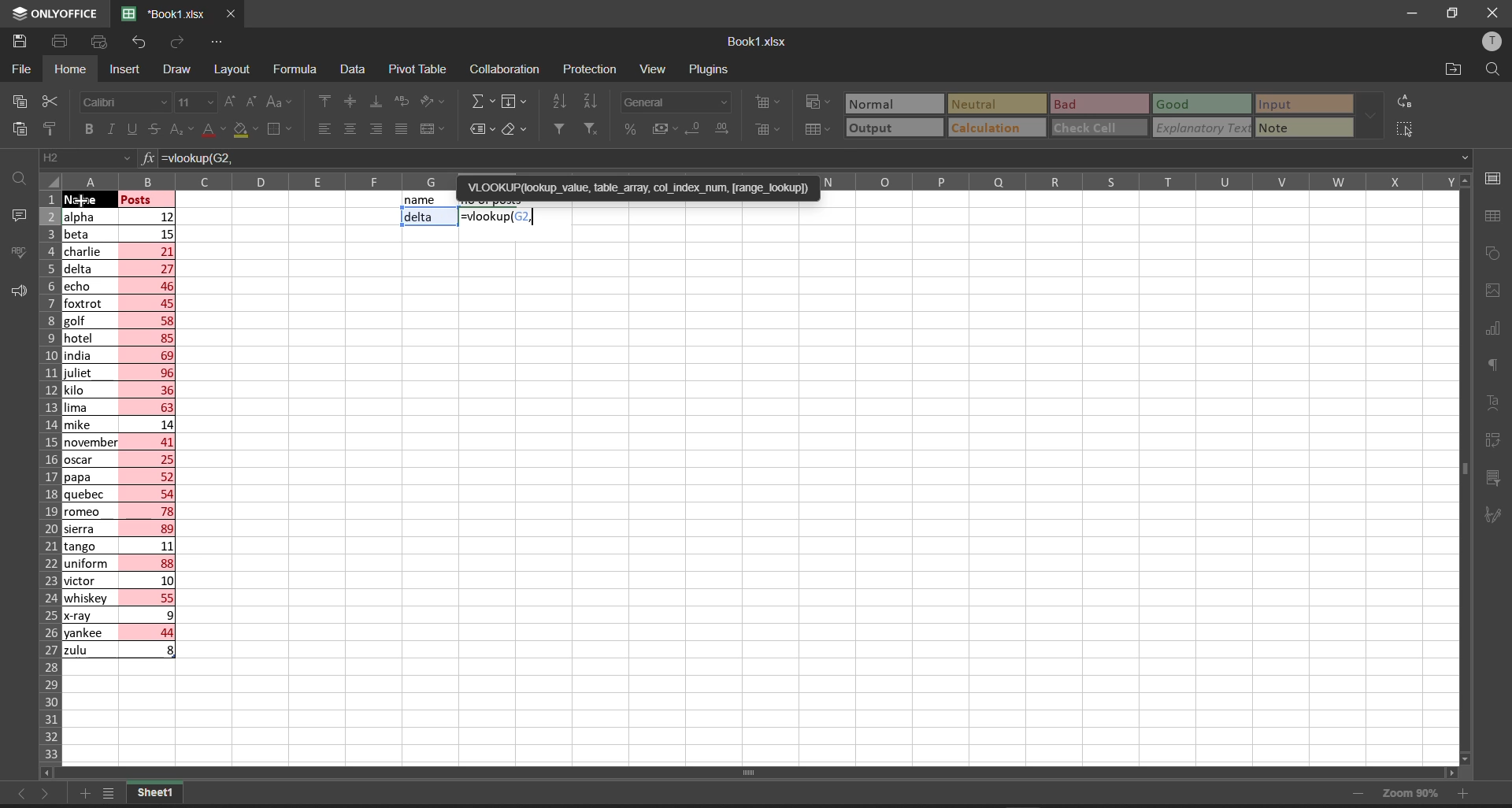 This screenshot has height=808, width=1512. Describe the element at coordinates (154, 131) in the screenshot. I see `strikethrough` at that location.